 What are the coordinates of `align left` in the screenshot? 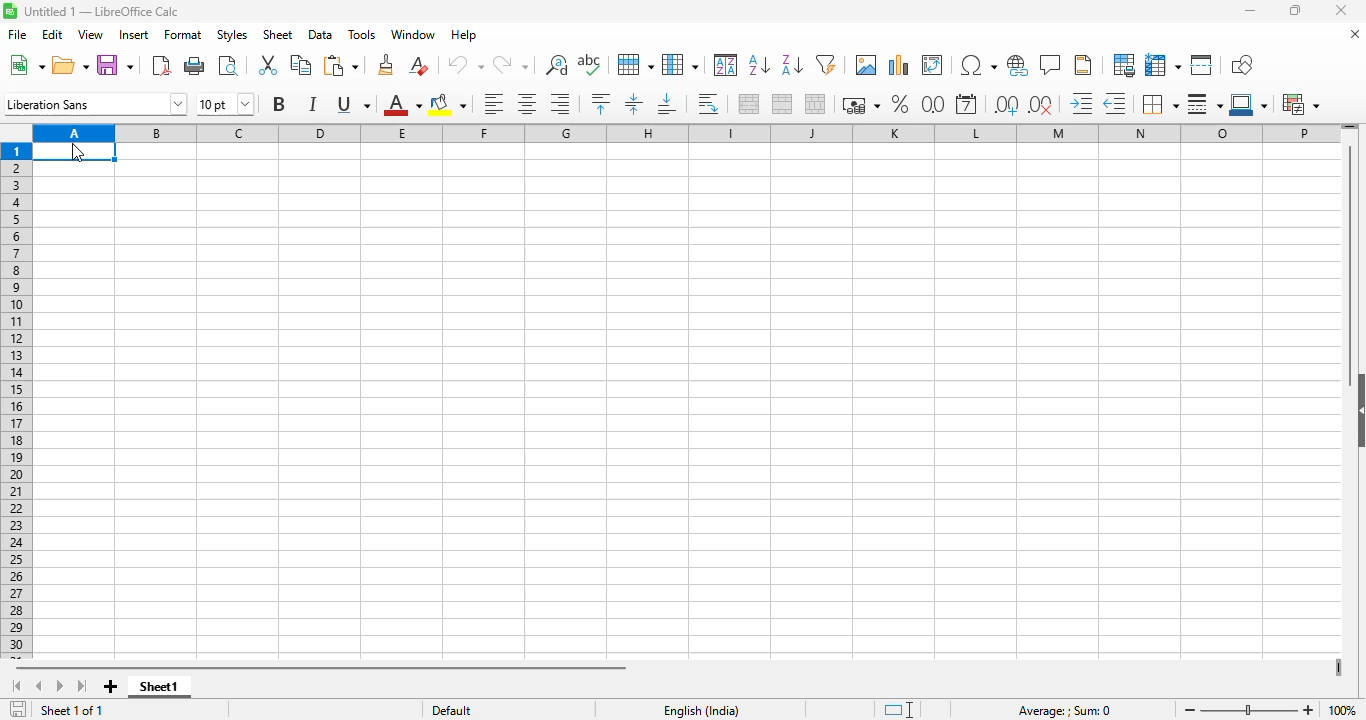 It's located at (493, 104).